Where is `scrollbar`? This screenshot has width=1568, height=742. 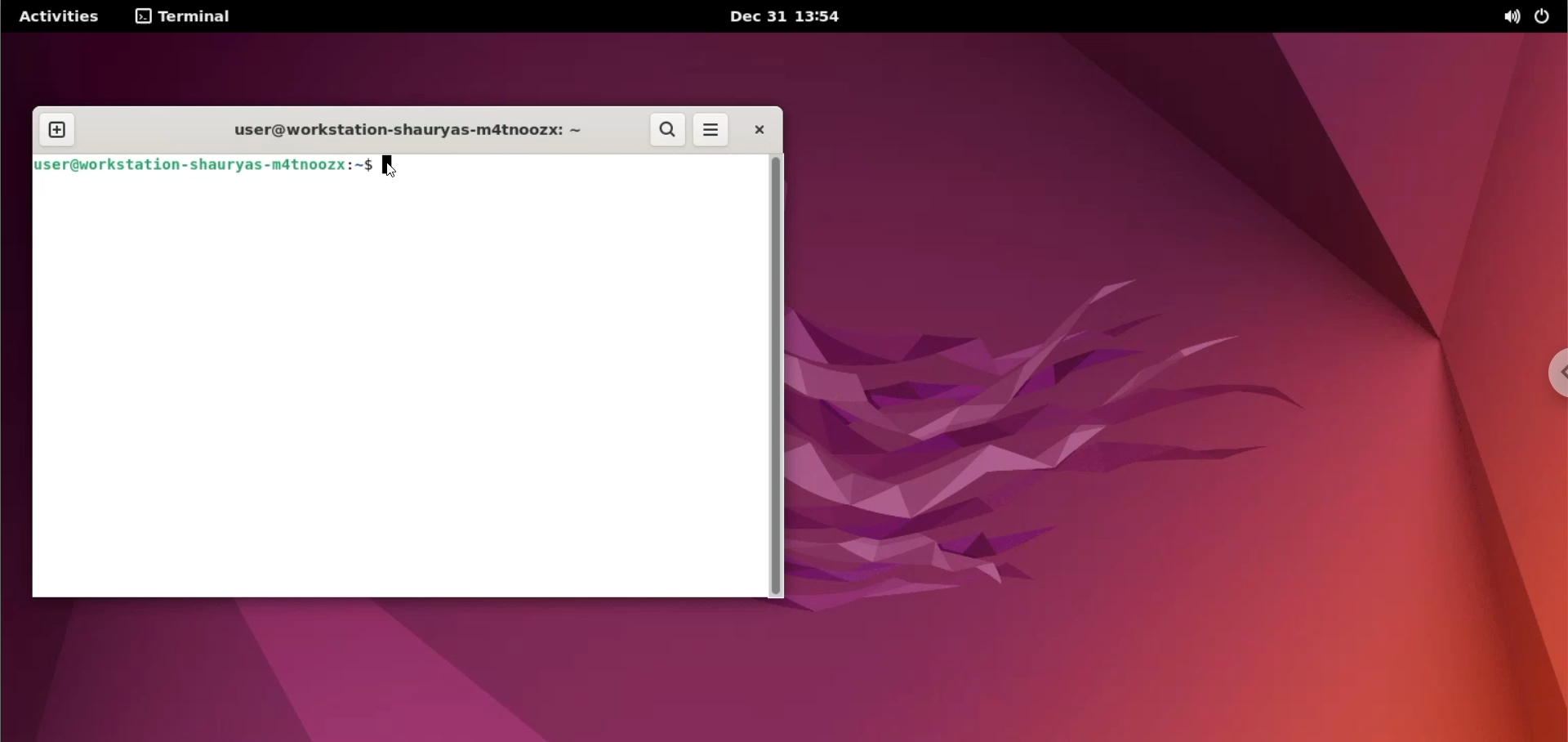
scrollbar is located at coordinates (778, 378).